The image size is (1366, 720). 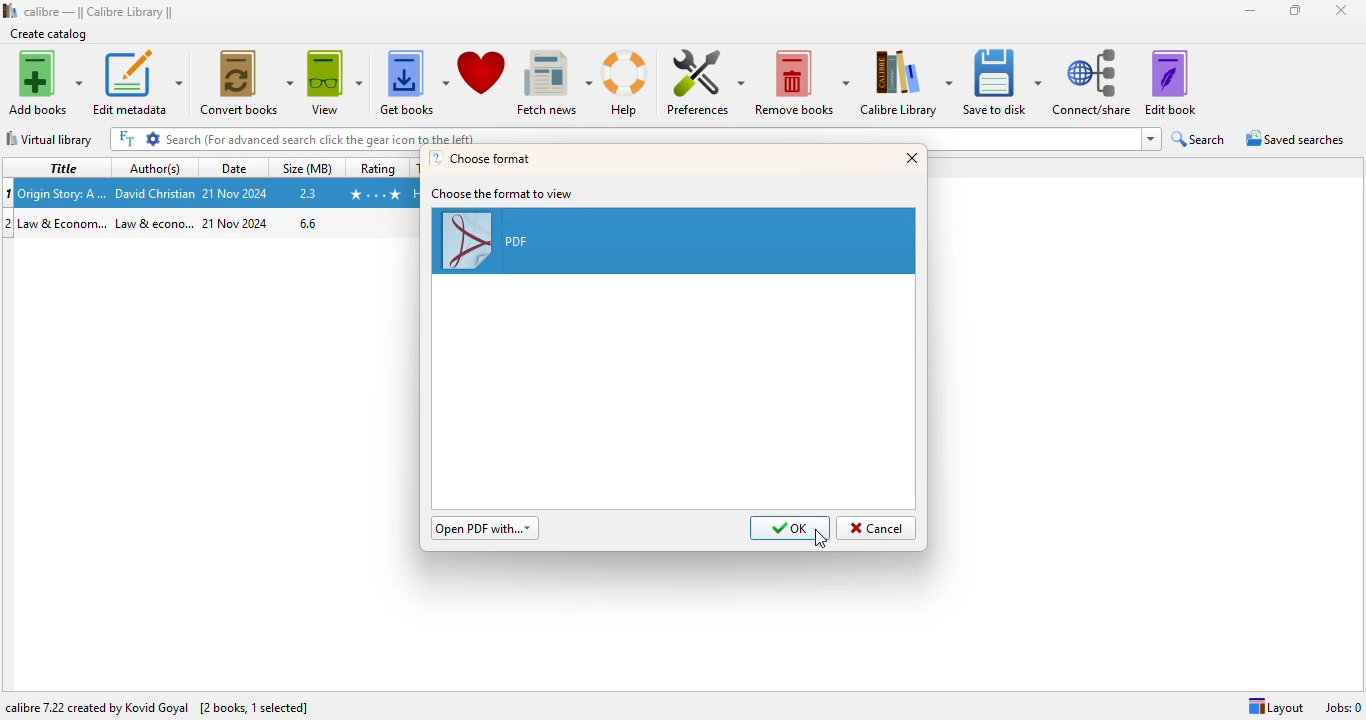 I want to click on remove books, so click(x=801, y=83).